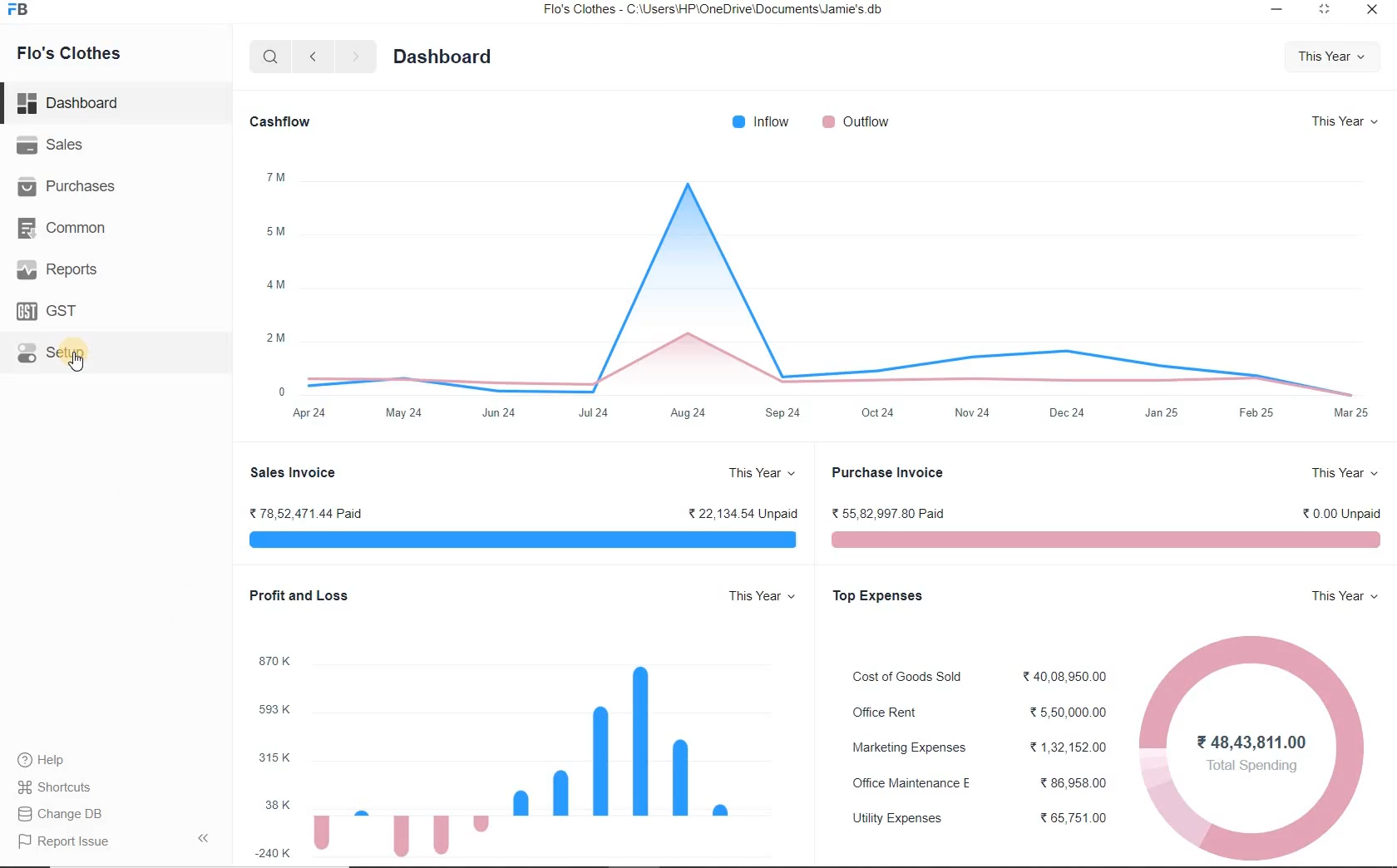  What do you see at coordinates (1325, 8) in the screenshot?
I see `maximize` at bounding box center [1325, 8].